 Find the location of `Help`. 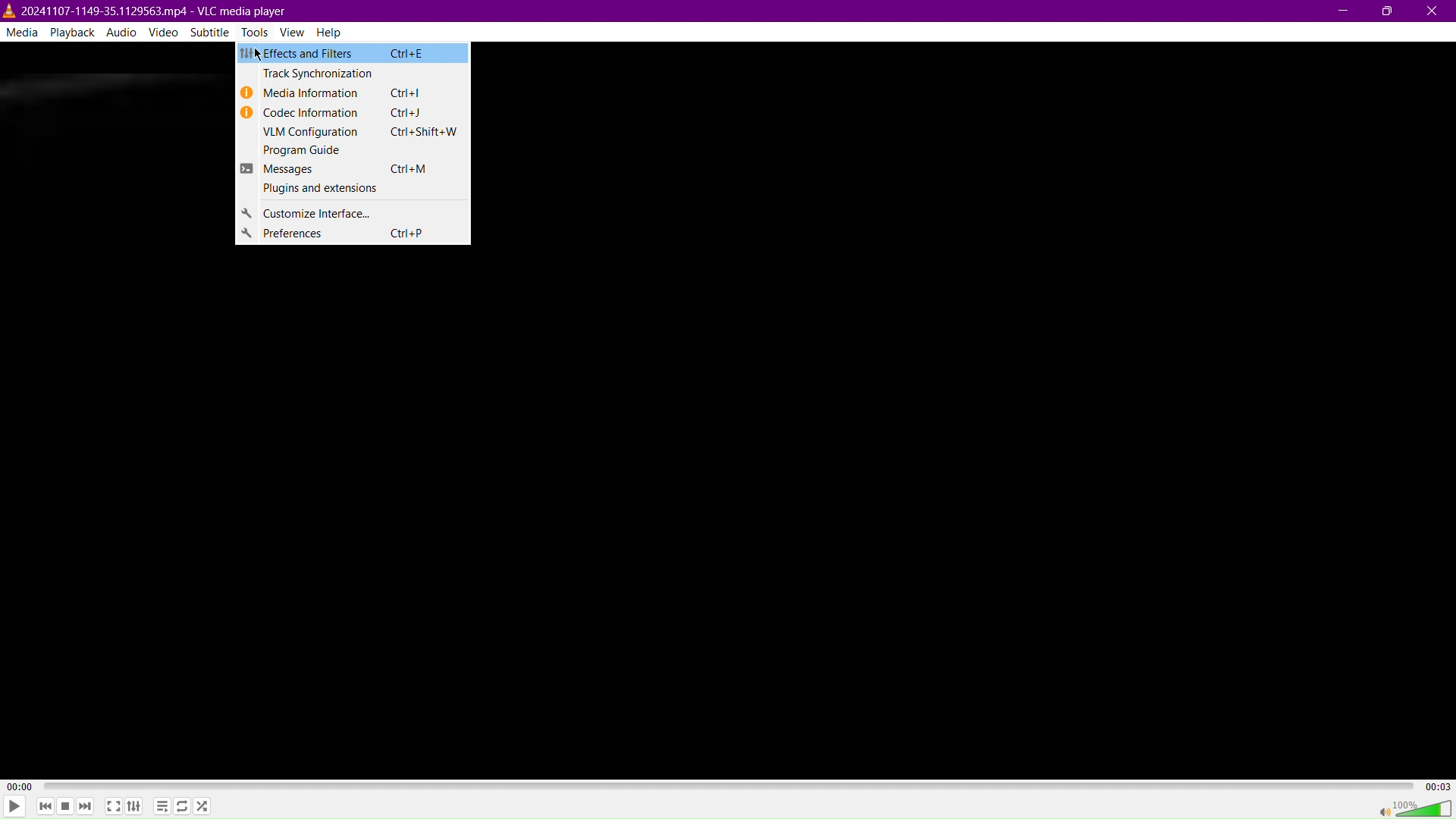

Help is located at coordinates (335, 33).